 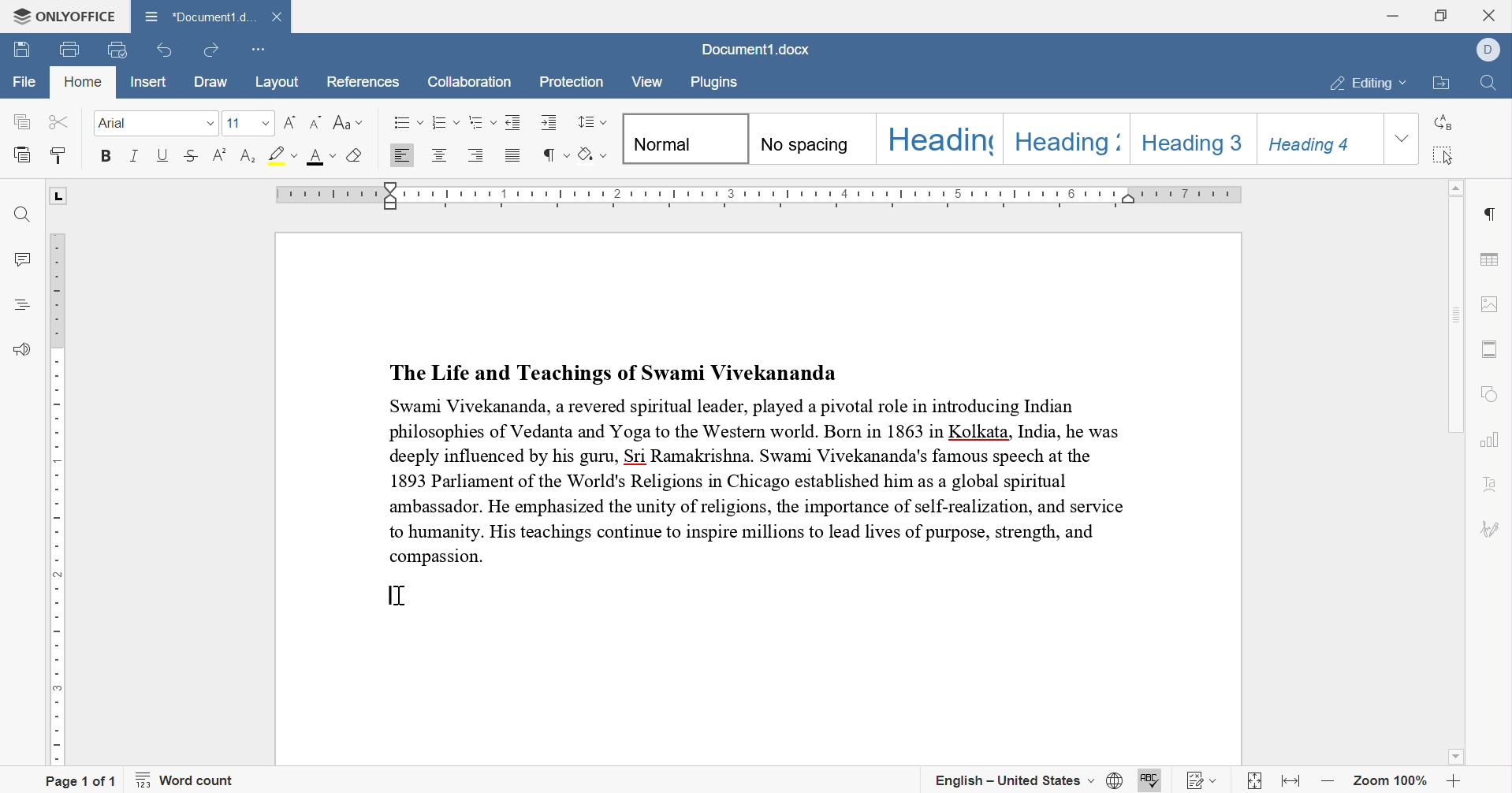 I want to click on decrement font size, so click(x=317, y=122).